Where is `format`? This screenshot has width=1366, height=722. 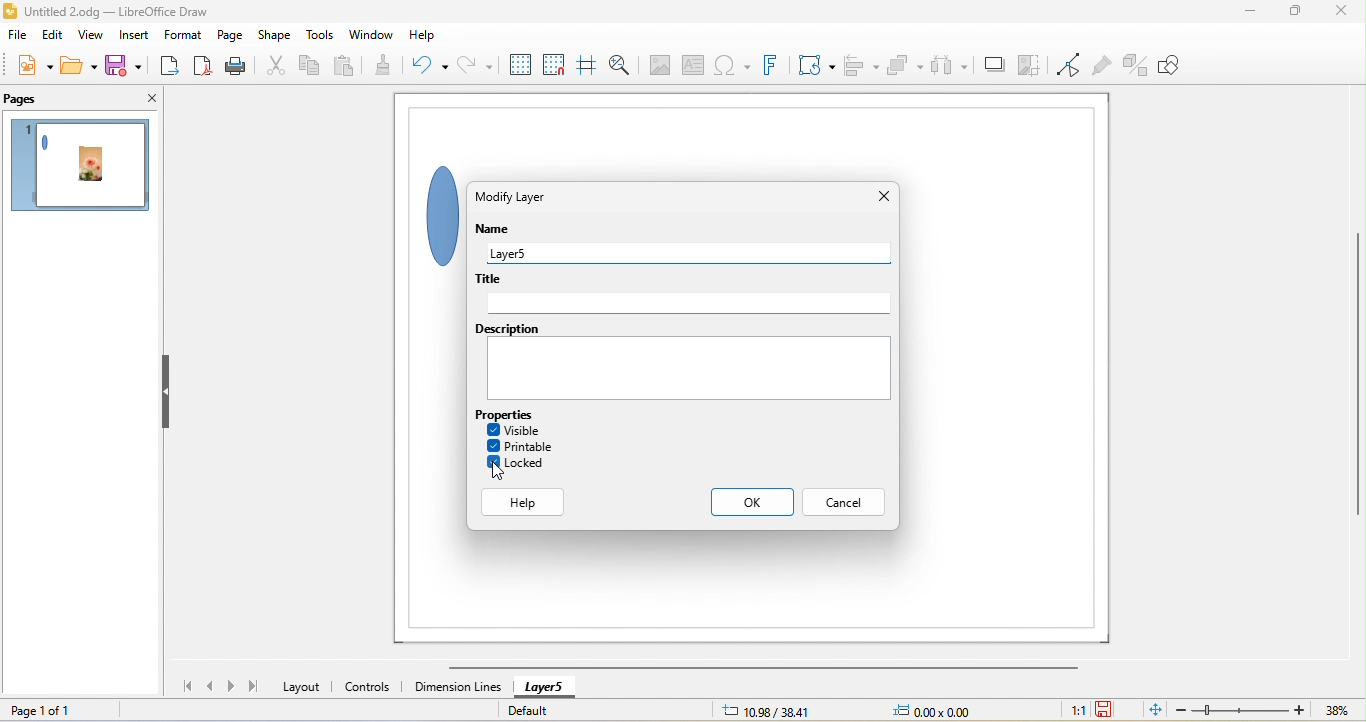
format is located at coordinates (183, 35).